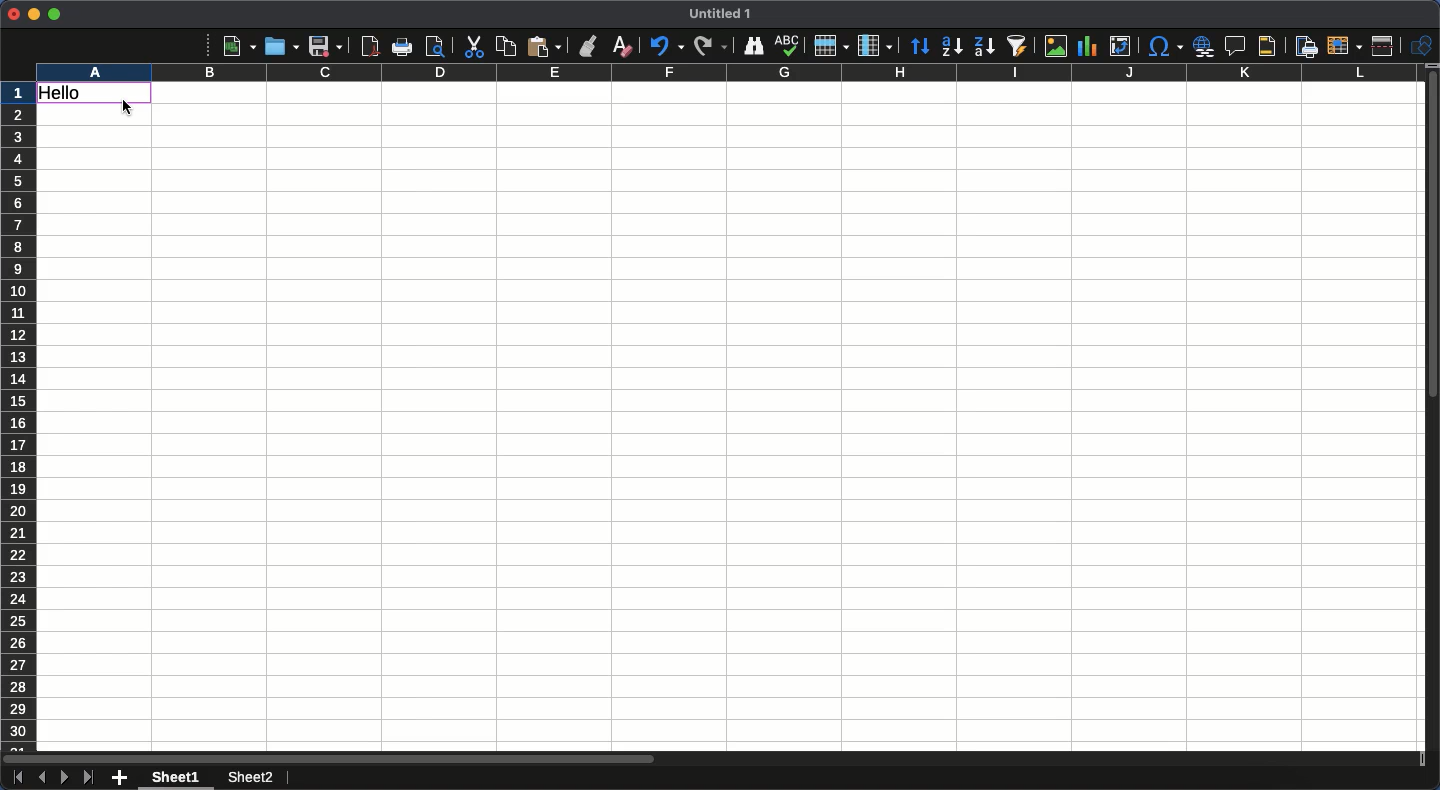 The height and width of the screenshot is (790, 1440). I want to click on Clear formatting, so click(623, 45).